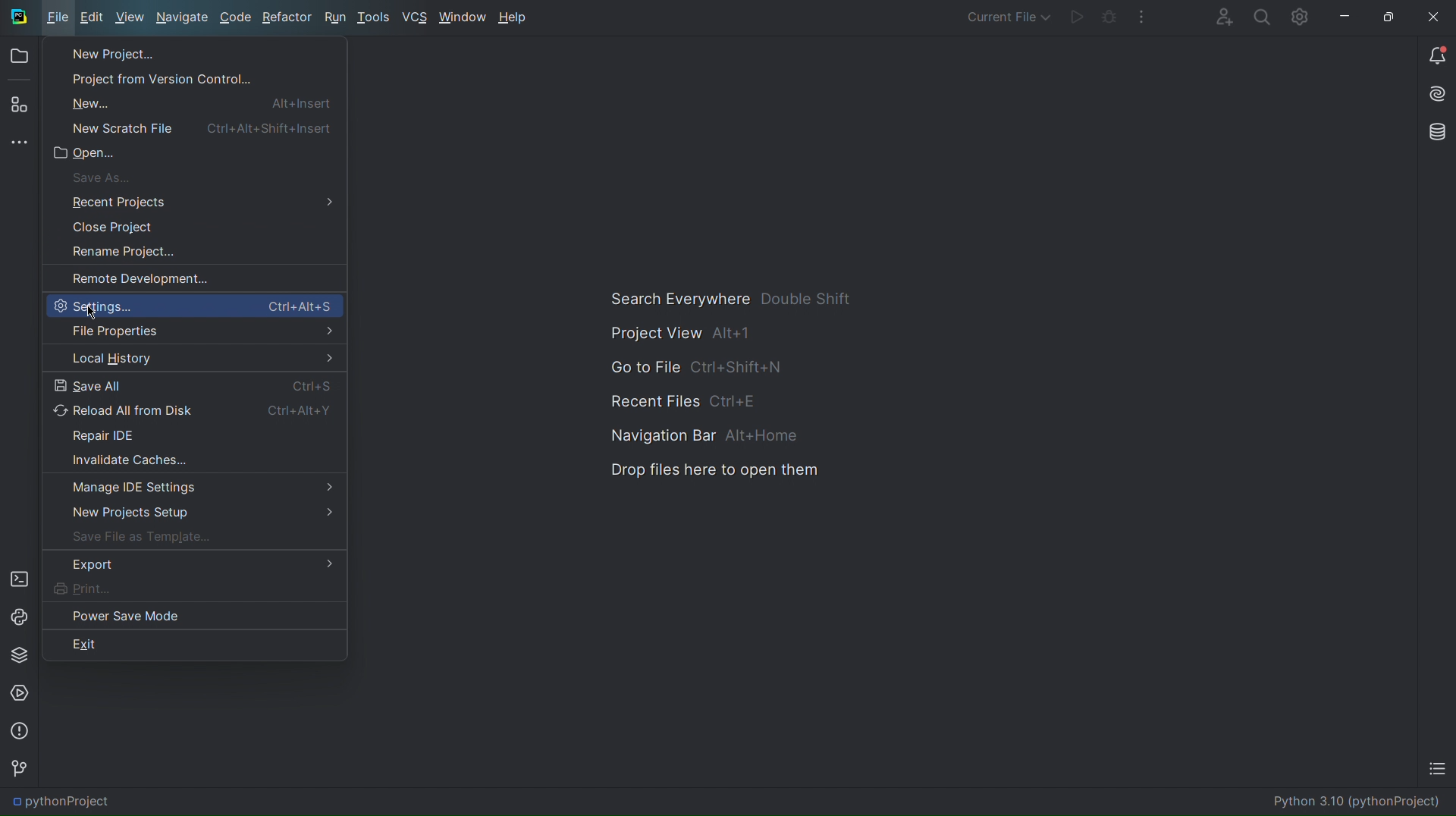 The height and width of the screenshot is (816, 1456). I want to click on TODO, so click(1436, 771).